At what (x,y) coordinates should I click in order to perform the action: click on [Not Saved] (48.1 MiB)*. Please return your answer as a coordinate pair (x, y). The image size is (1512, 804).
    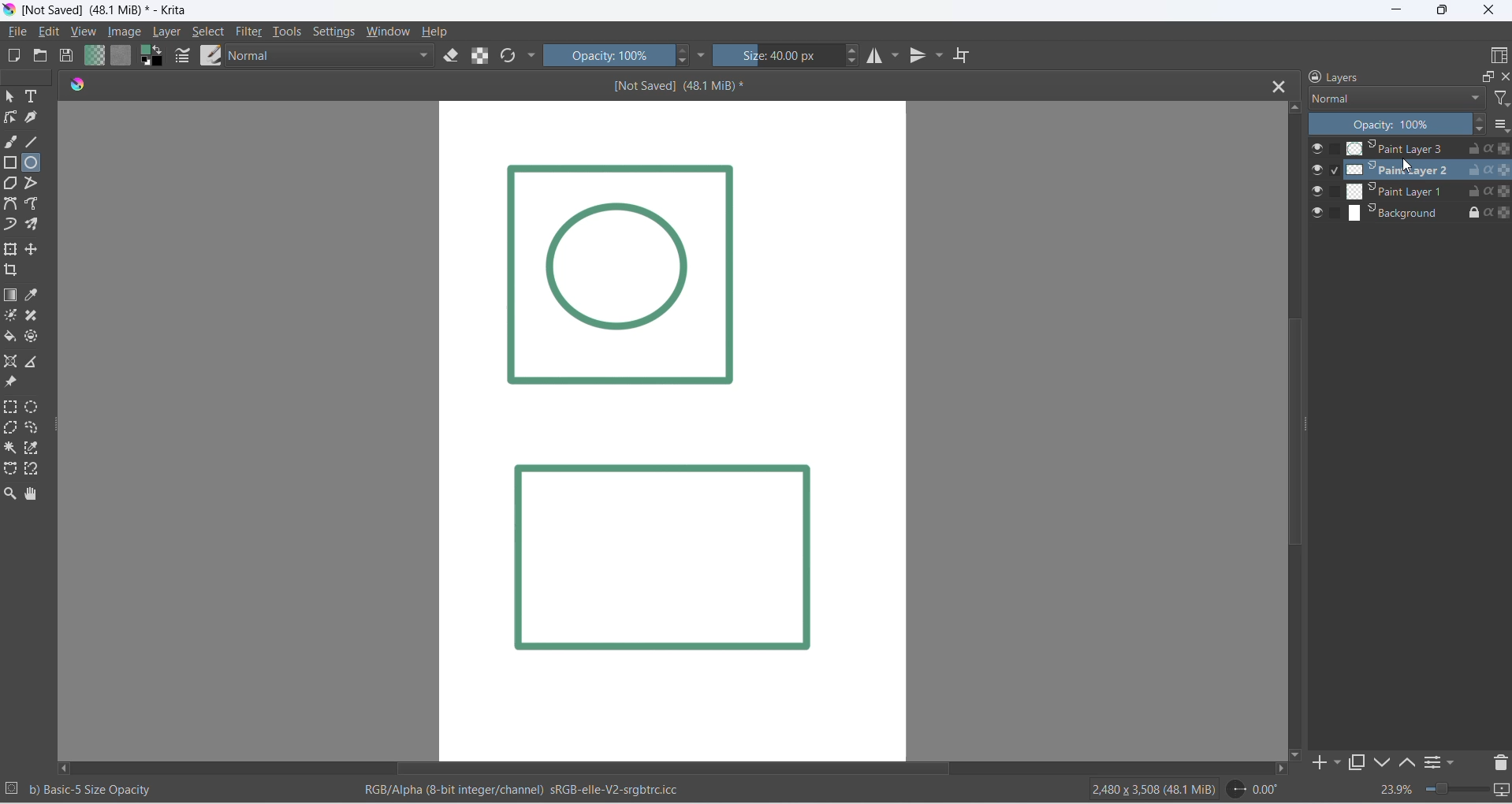
    Looking at the image, I should click on (700, 87).